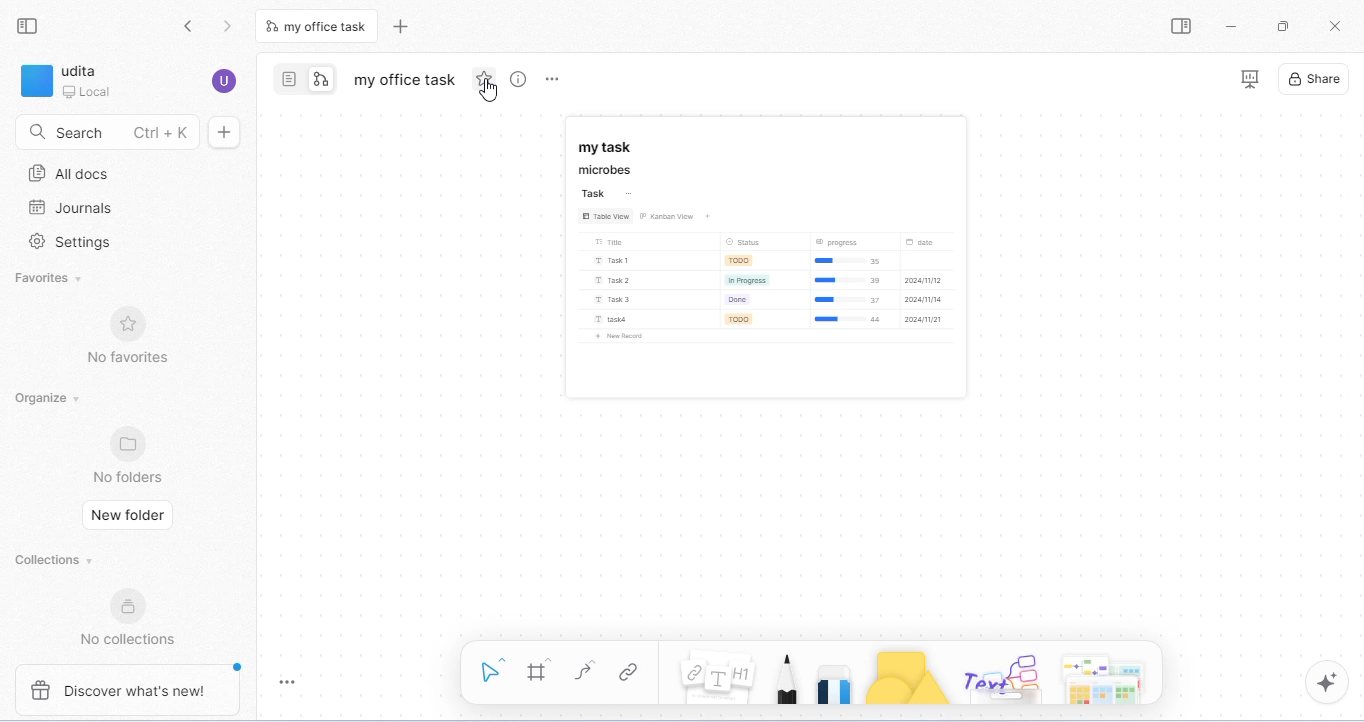  What do you see at coordinates (634, 674) in the screenshot?
I see `link` at bounding box center [634, 674].